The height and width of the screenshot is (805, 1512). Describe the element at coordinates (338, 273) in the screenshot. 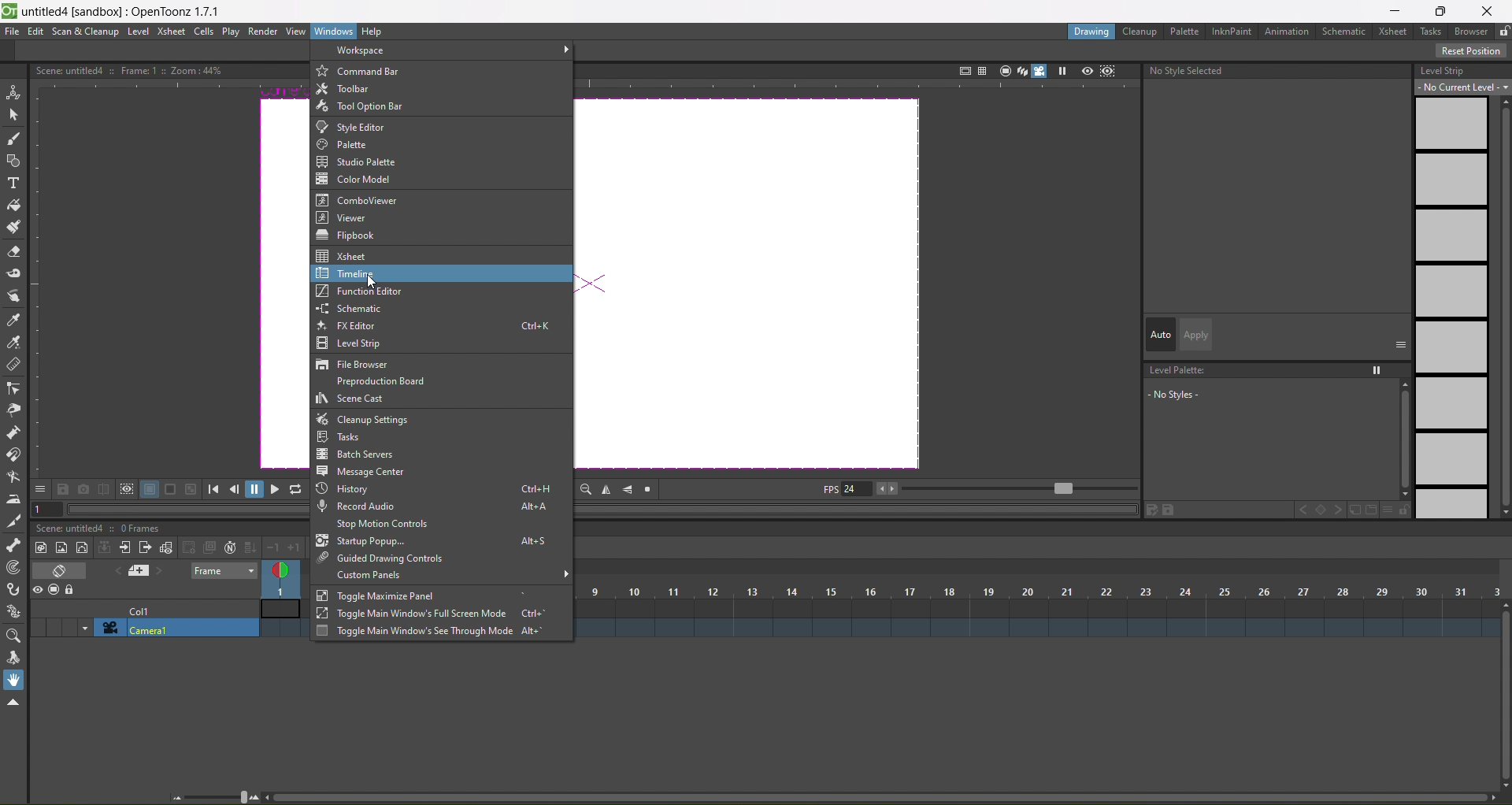

I see `timeline` at that location.